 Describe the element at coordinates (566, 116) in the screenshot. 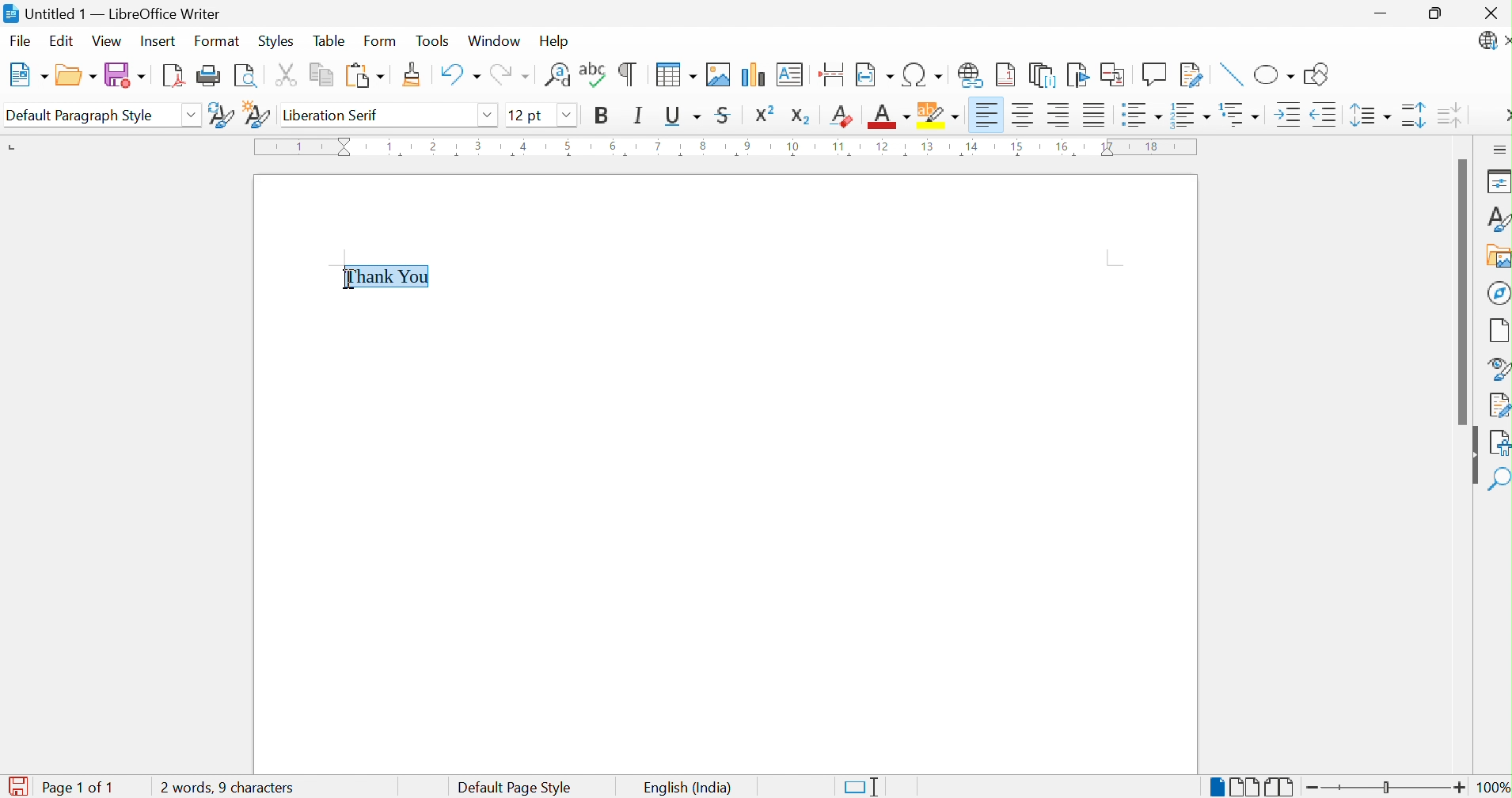

I see `Drop Down` at that location.